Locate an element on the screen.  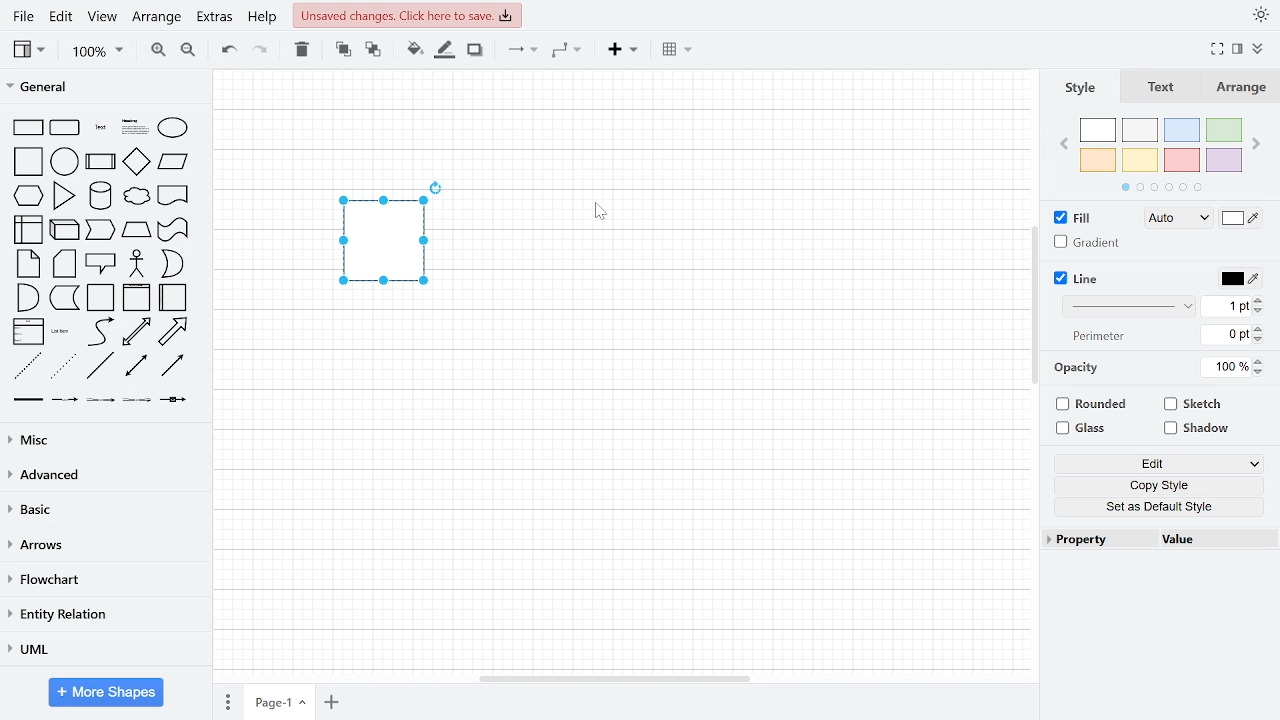
square is located at coordinates (27, 161).